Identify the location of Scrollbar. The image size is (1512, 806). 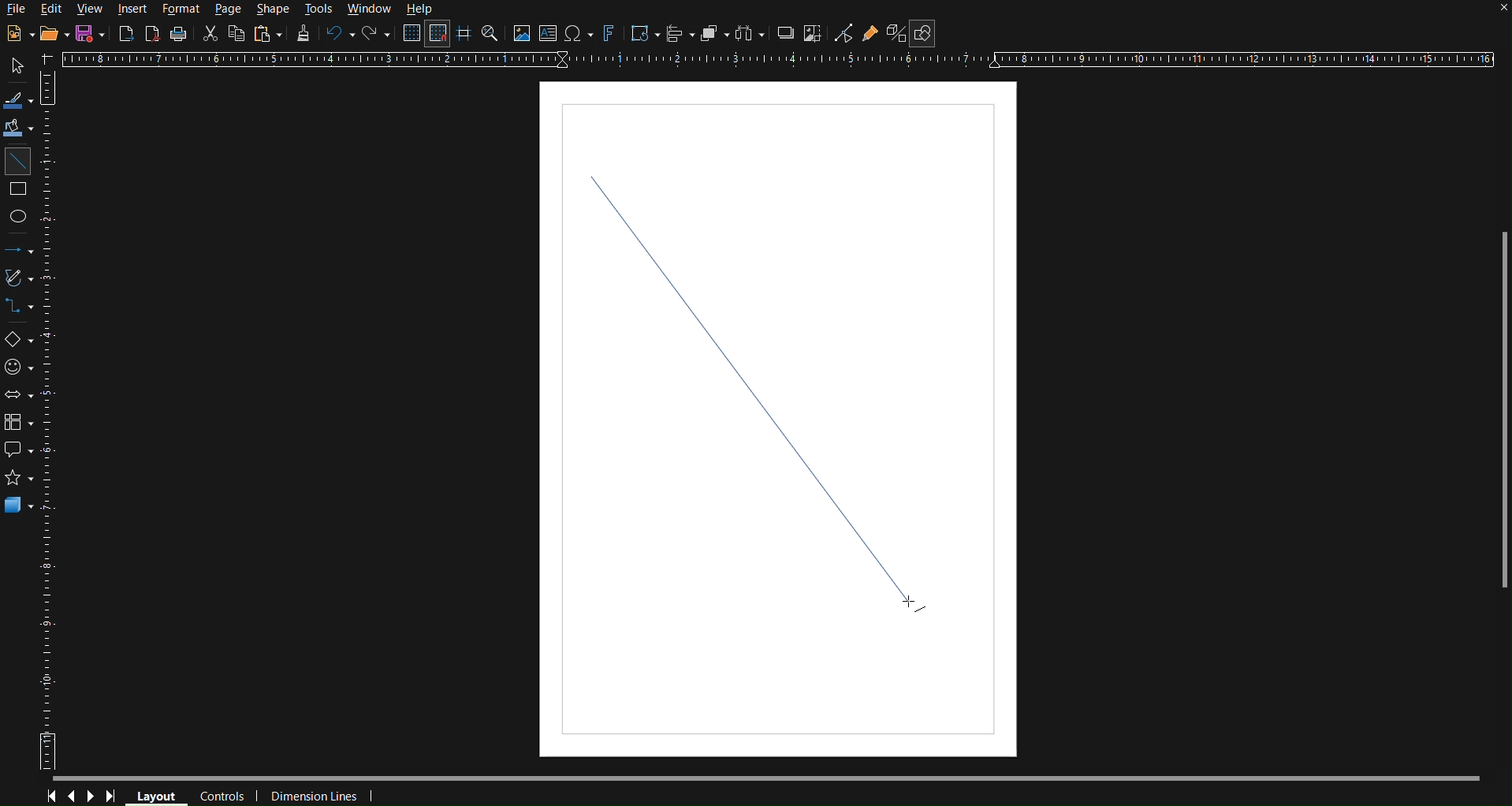
(1502, 411).